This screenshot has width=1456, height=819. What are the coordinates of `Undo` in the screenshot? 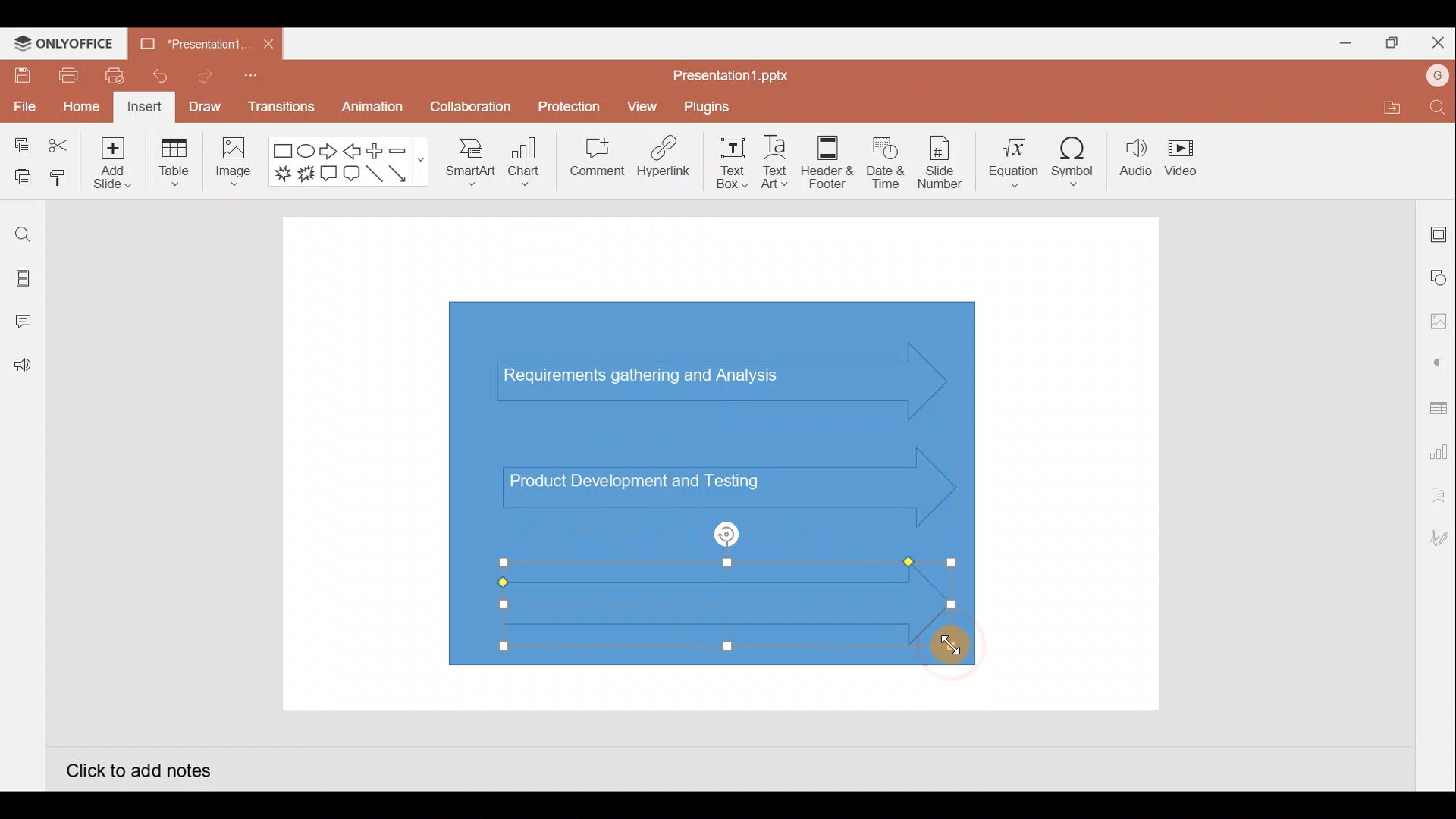 It's located at (154, 76).